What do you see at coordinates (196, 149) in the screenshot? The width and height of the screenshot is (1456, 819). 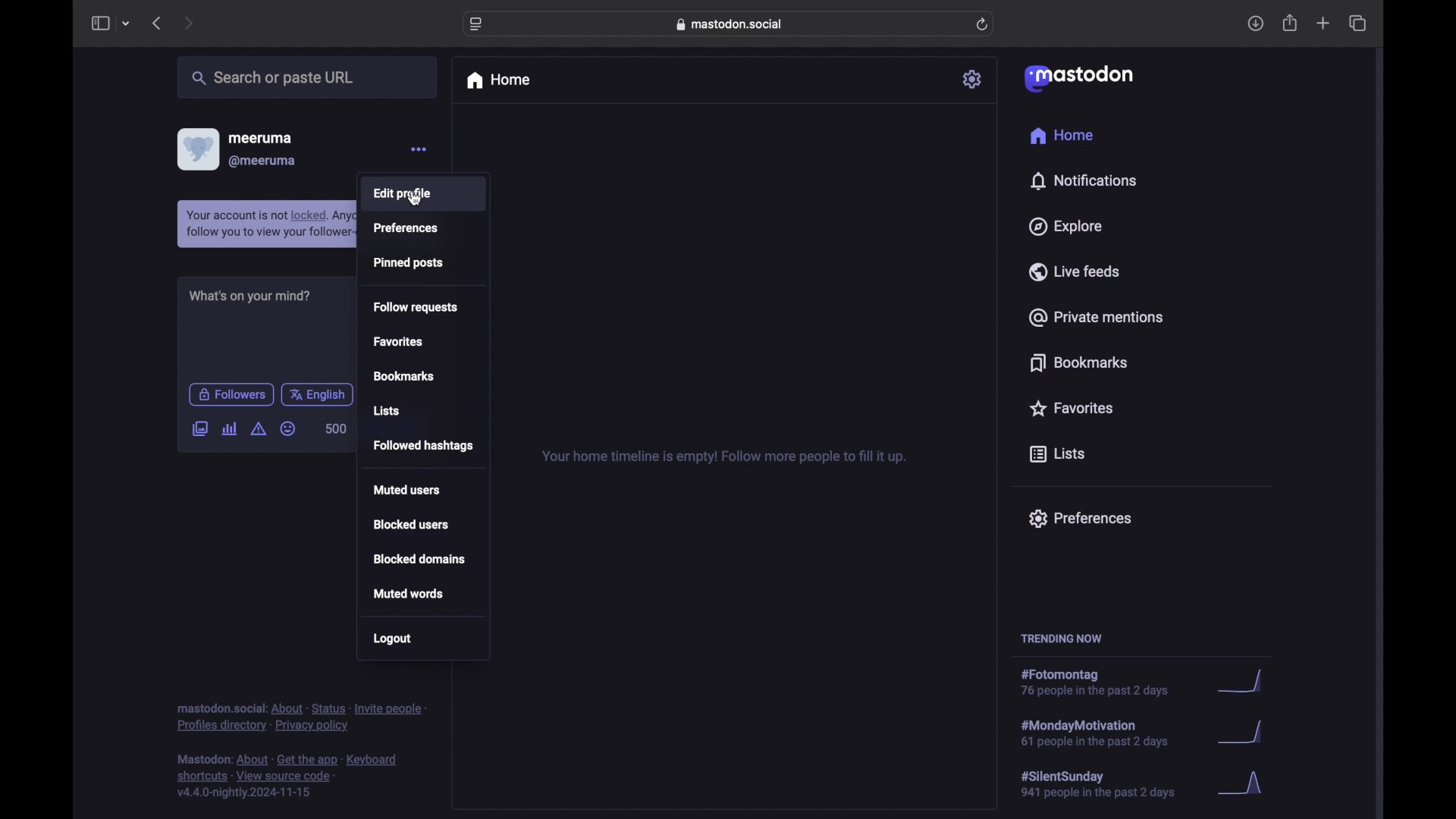 I see `profile picture` at bounding box center [196, 149].